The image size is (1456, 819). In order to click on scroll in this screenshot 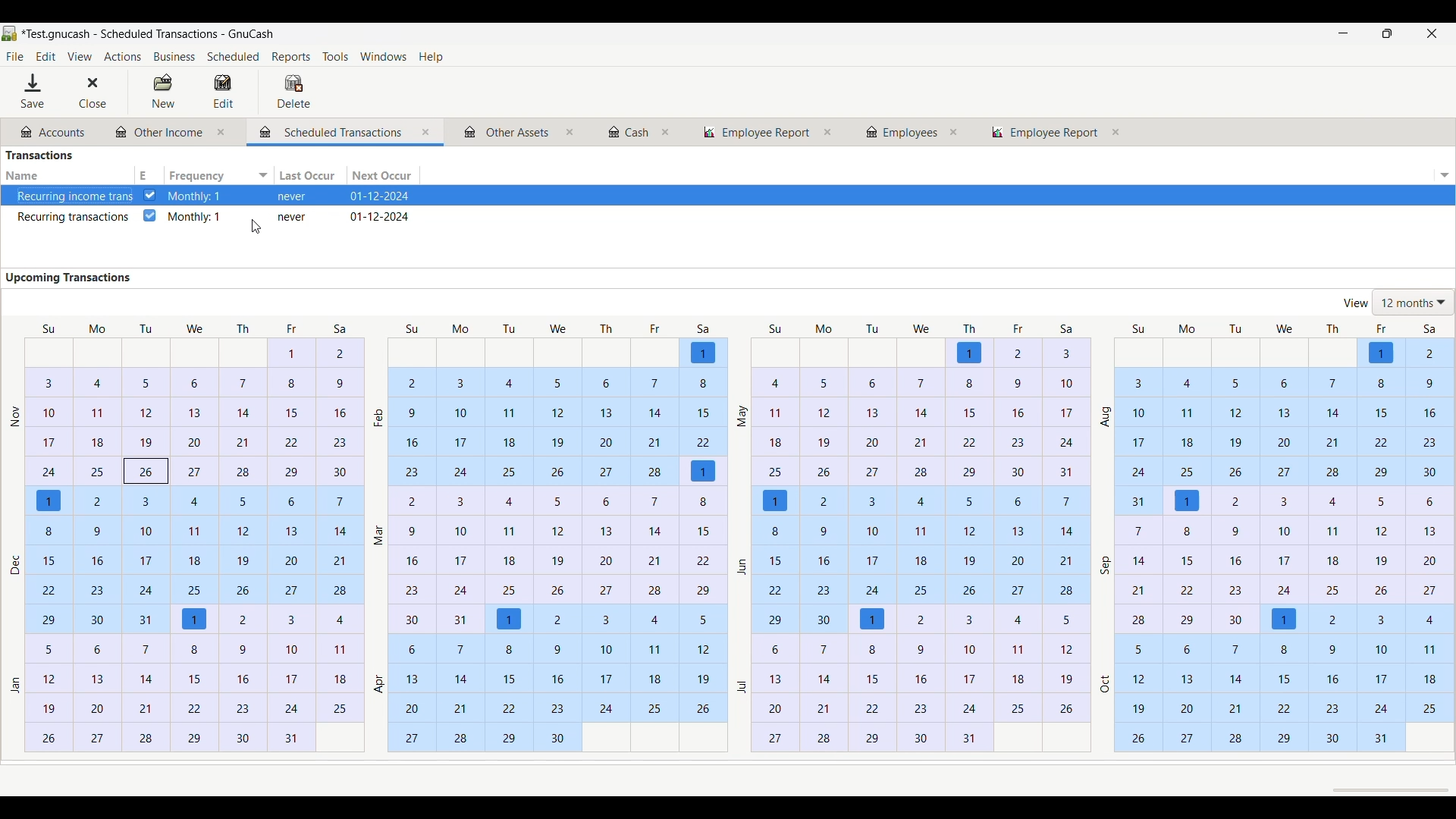, I will do `click(1382, 789)`.